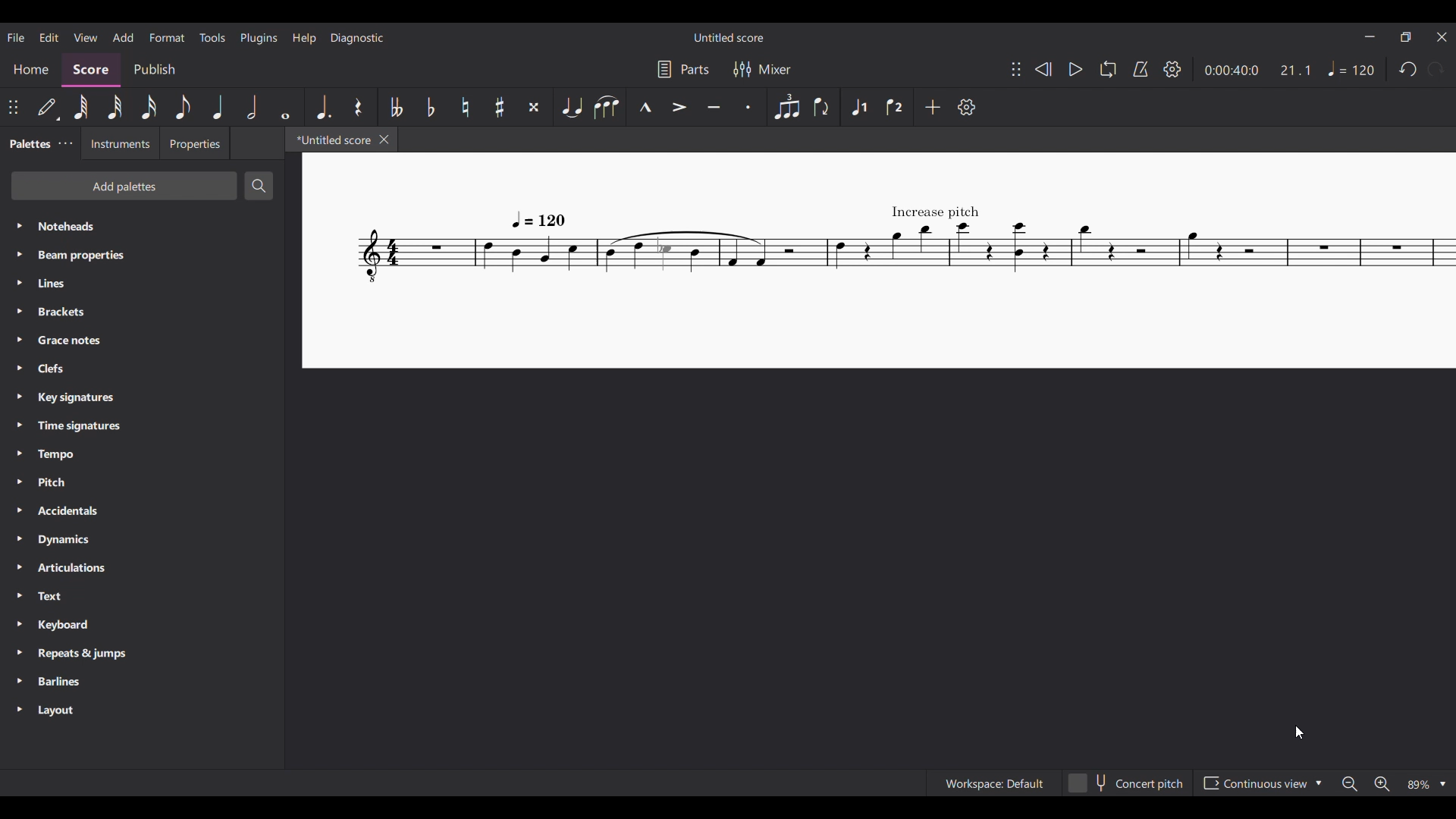 Image resolution: width=1456 pixels, height=819 pixels. Describe the element at coordinates (645, 107) in the screenshot. I see `Marcato` at that location.